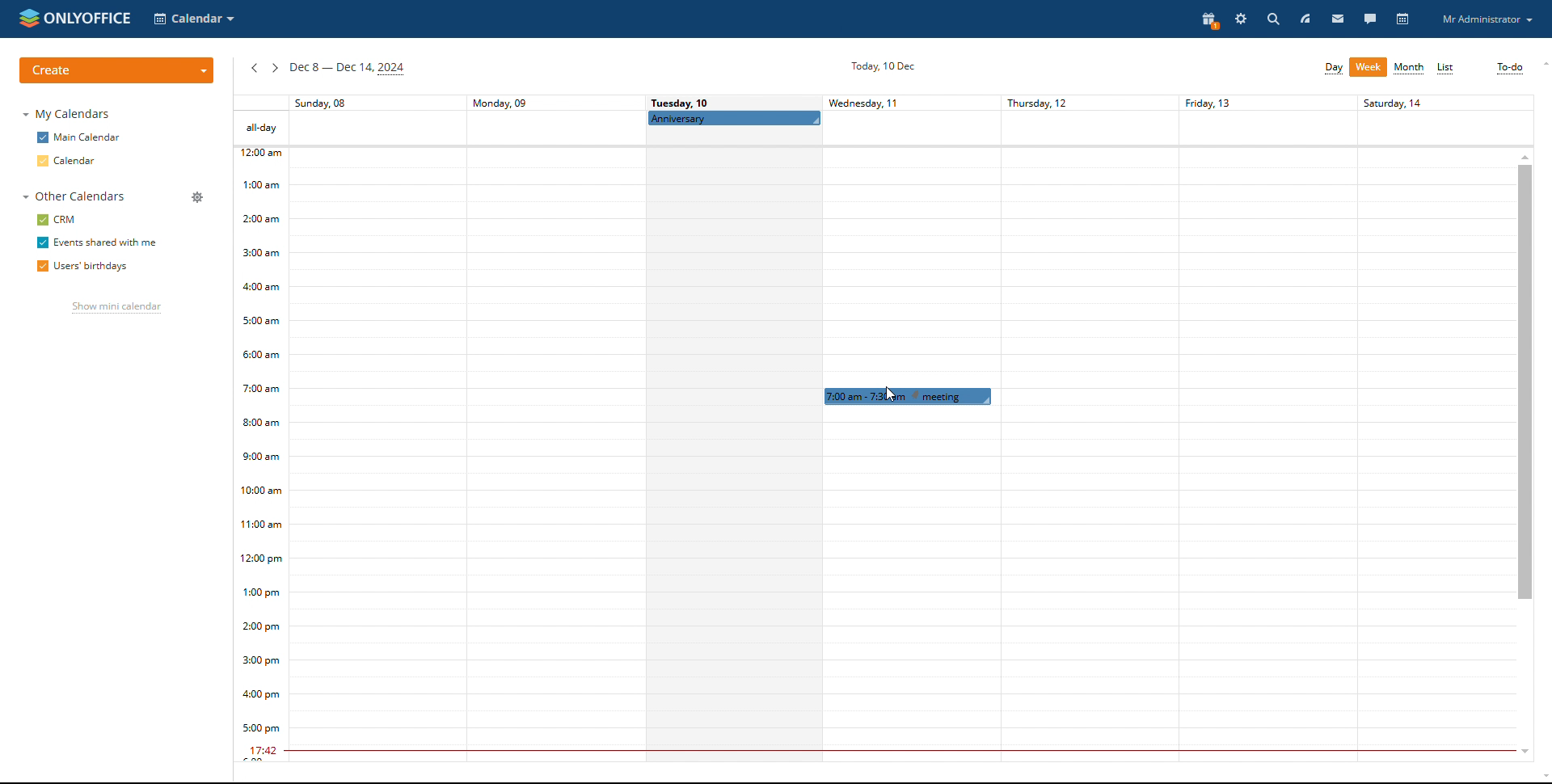 This screenshot has width=1552, height=784. What do you see at coordinates (70, 114) in the screenshot?
I see `my calendar` at bounding box center [70, 114].